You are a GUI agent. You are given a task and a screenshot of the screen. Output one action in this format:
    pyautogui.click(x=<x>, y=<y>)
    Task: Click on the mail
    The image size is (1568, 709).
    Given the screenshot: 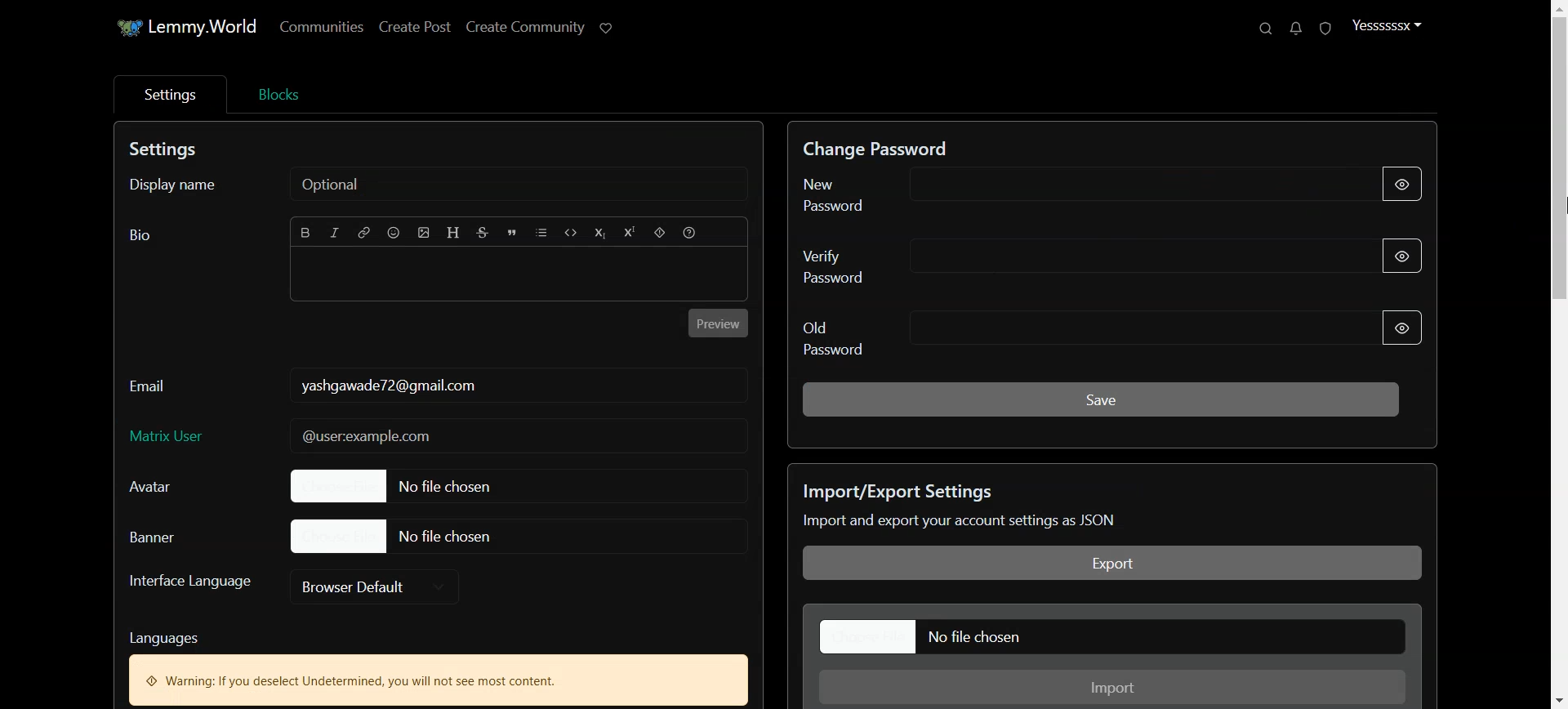 What is the action you would take?
    pyautogui.click(x=408, y=433)
    